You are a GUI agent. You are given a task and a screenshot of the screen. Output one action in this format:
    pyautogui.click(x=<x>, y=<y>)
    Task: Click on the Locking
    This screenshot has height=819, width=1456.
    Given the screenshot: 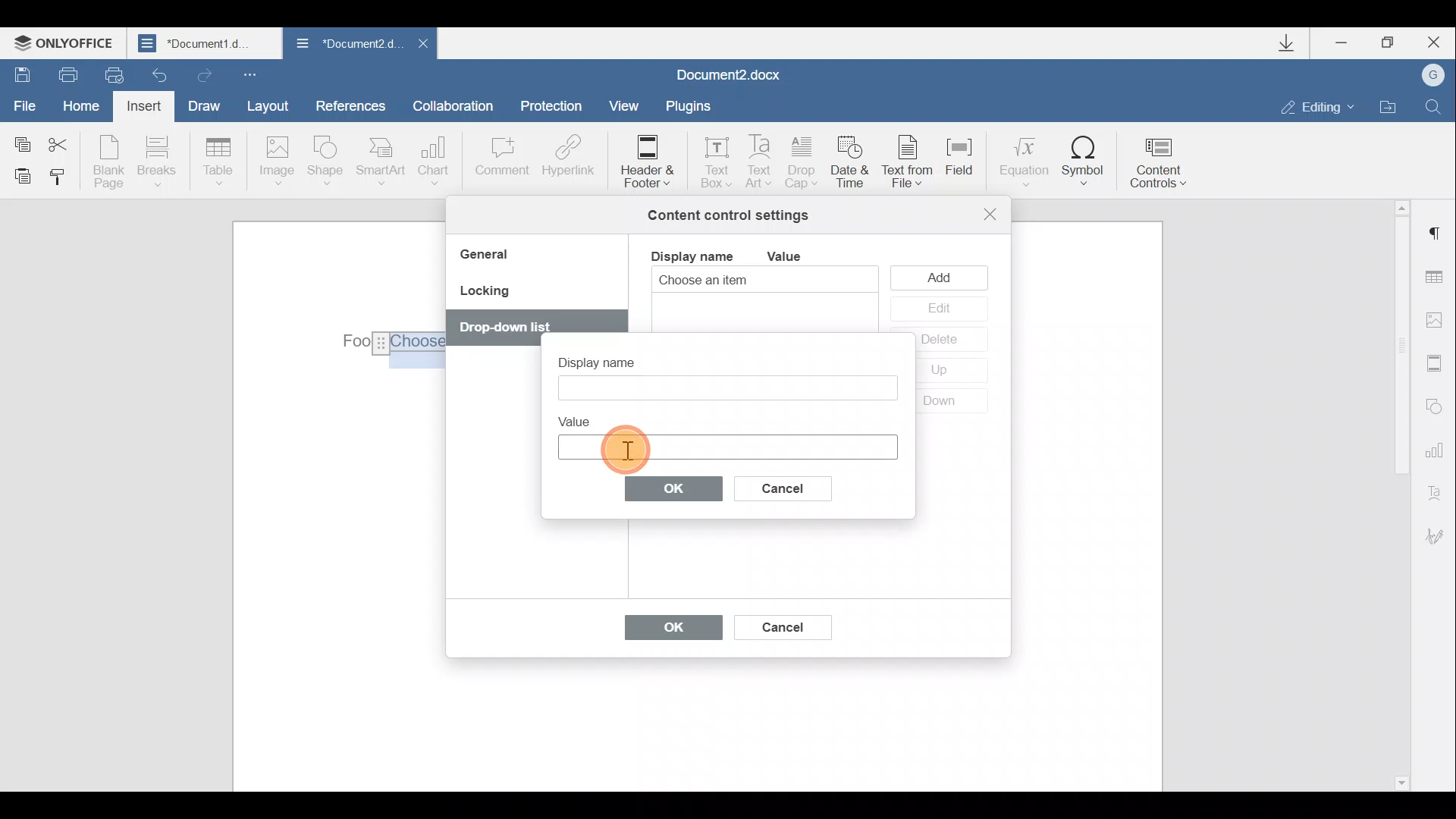 What is the action you would take?
    pyautogui.click(x=484, y=296)
    